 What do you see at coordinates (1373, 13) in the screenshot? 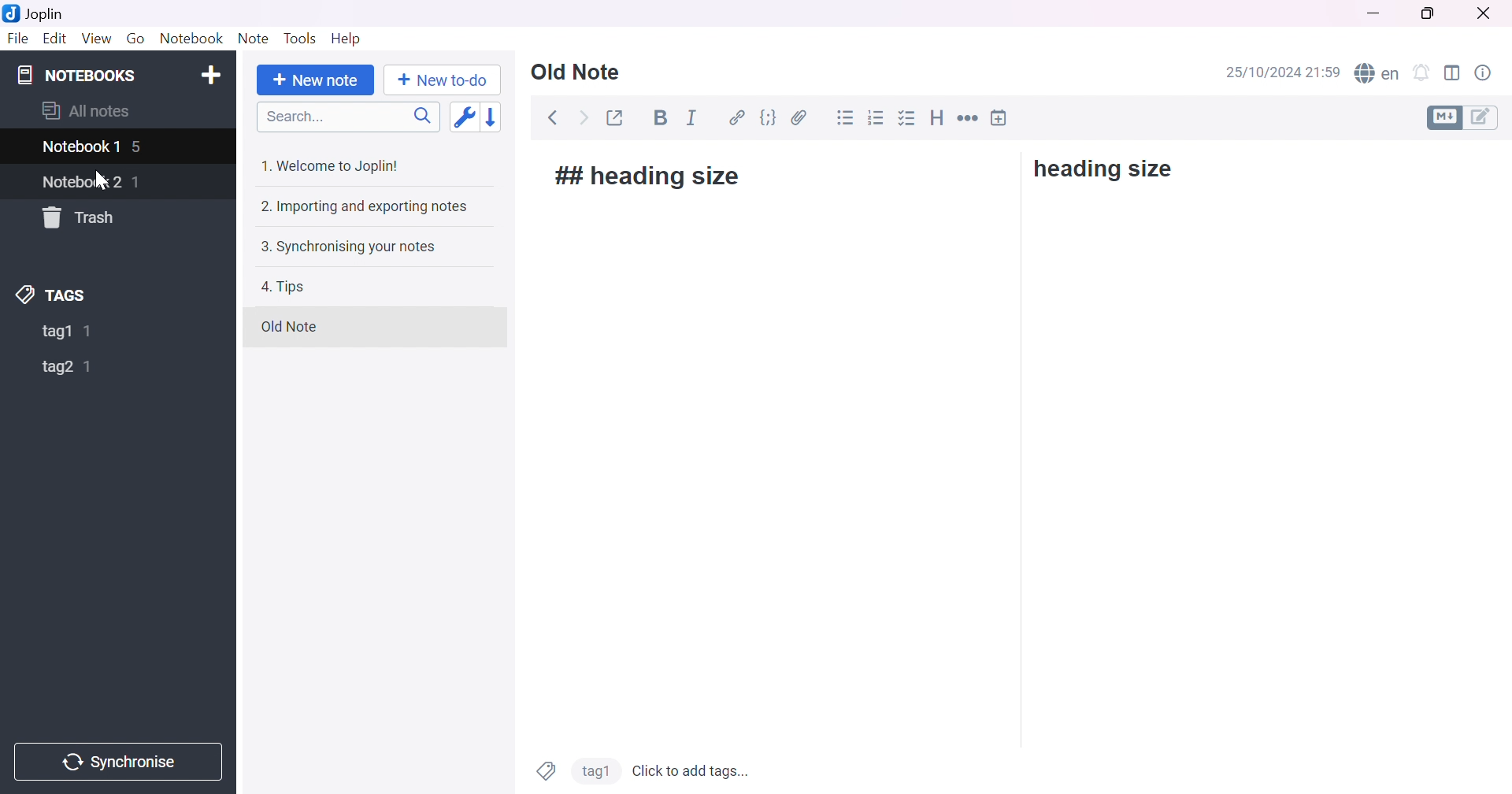
I see `Minimize` at bounding box center [1373, 13].